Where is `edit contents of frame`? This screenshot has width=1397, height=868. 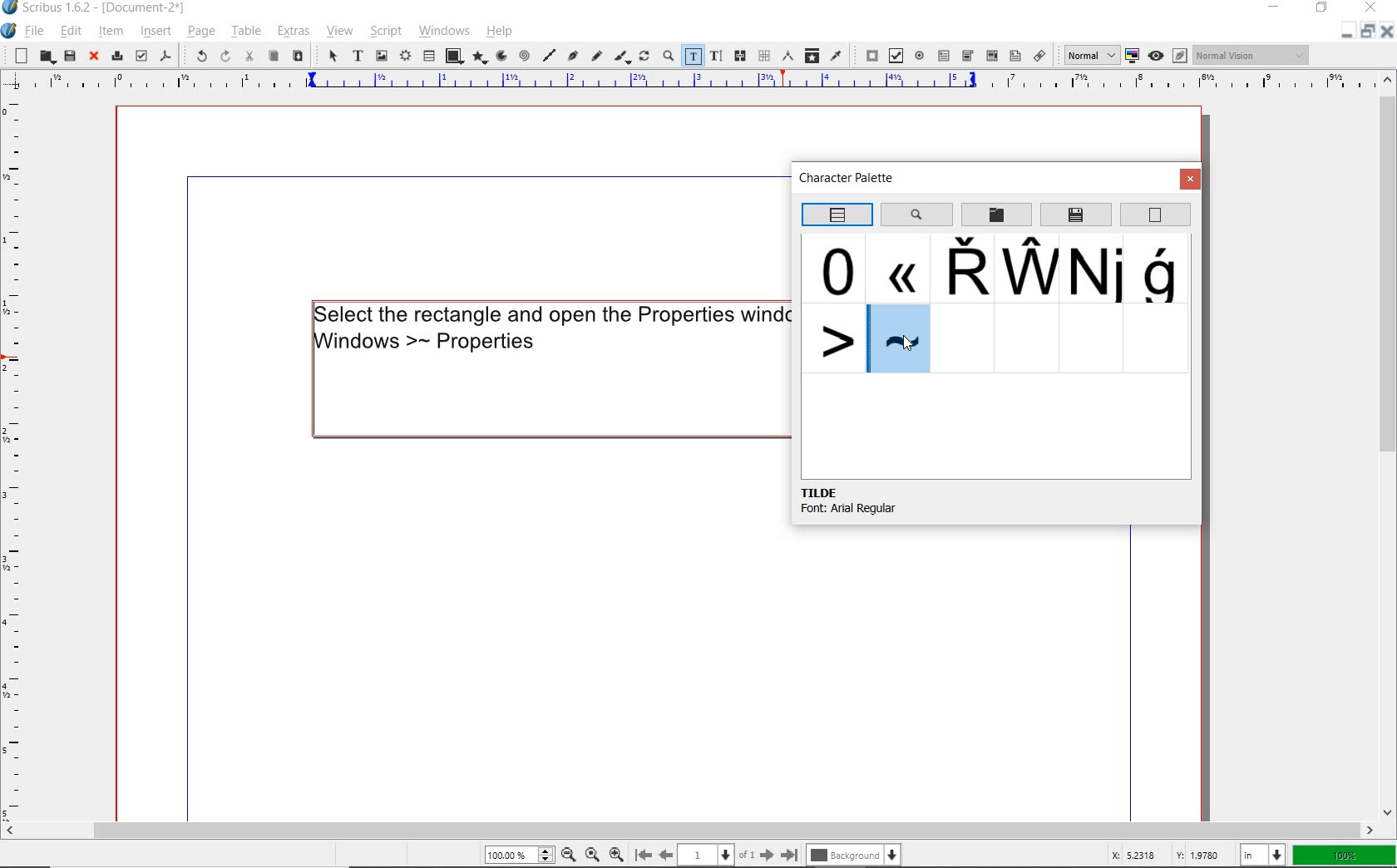 edit contents of frame is located at coordinates (692, 55).